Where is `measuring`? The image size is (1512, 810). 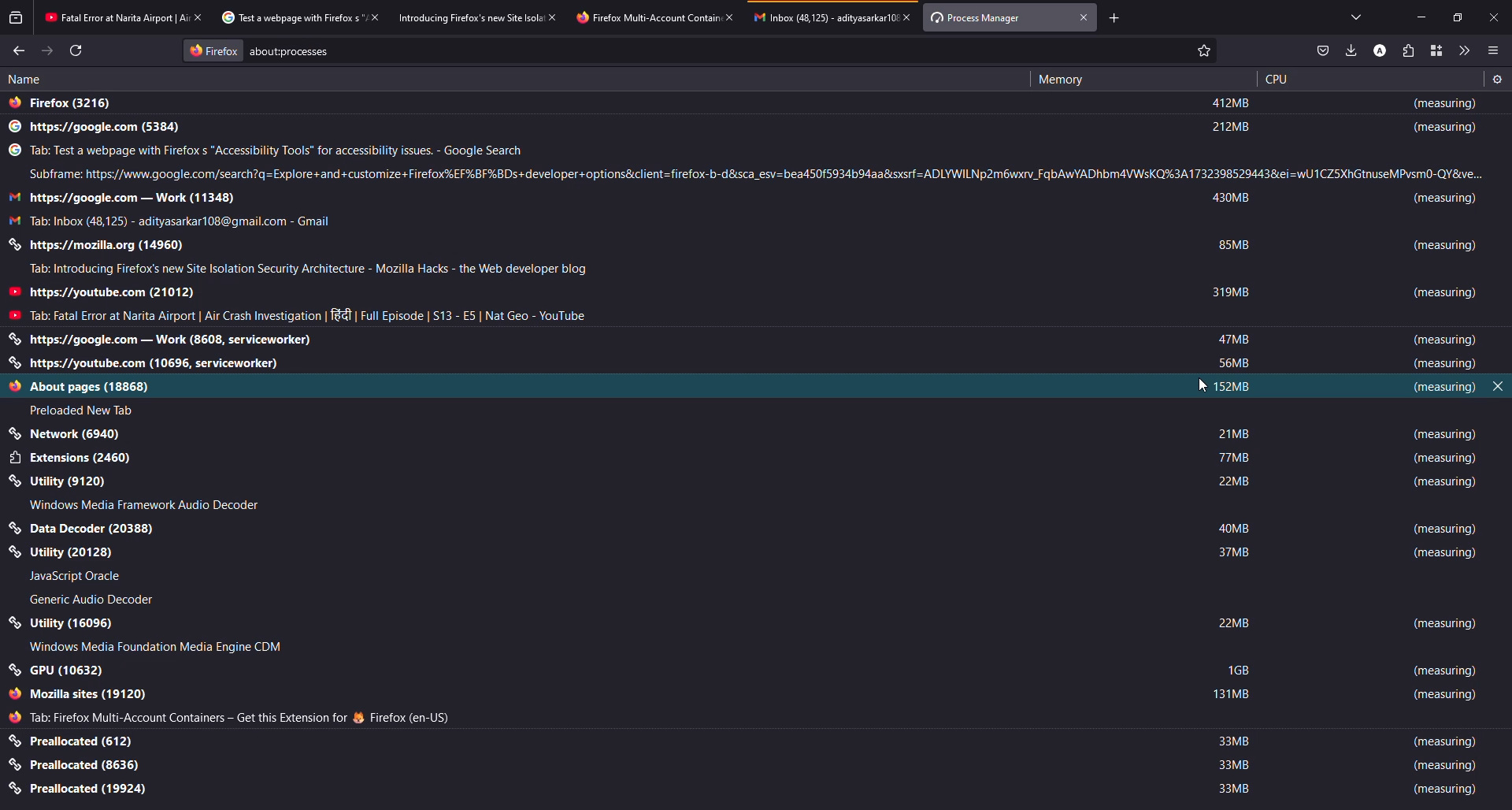
measuring is located at coordinates (1447, 552).